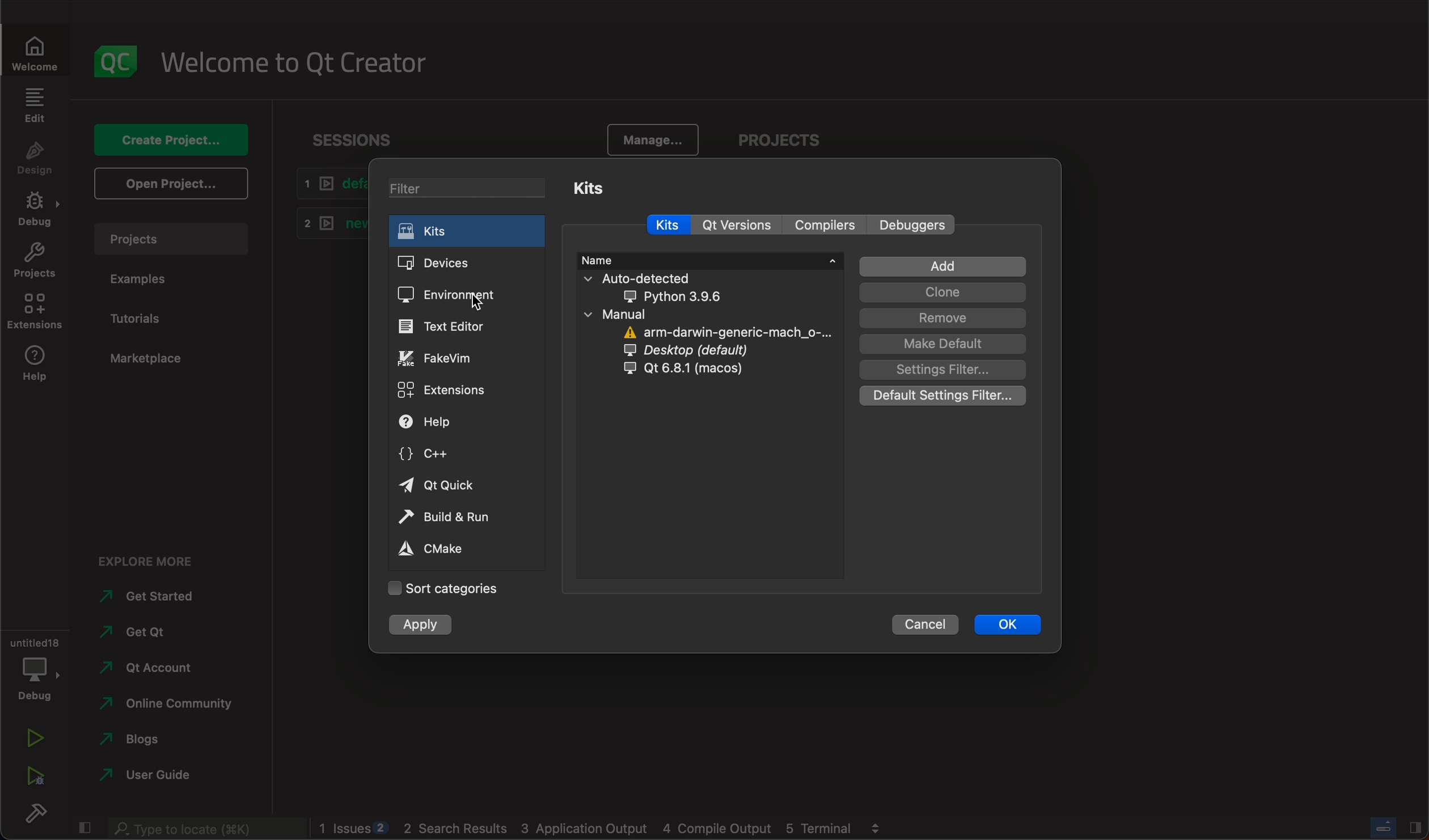 The width and height of the screenshot is (1429, 840). What do you see at coordinates (151, 359) in the screenshot?
I see `marketplace` at bounding box center [151, 359].